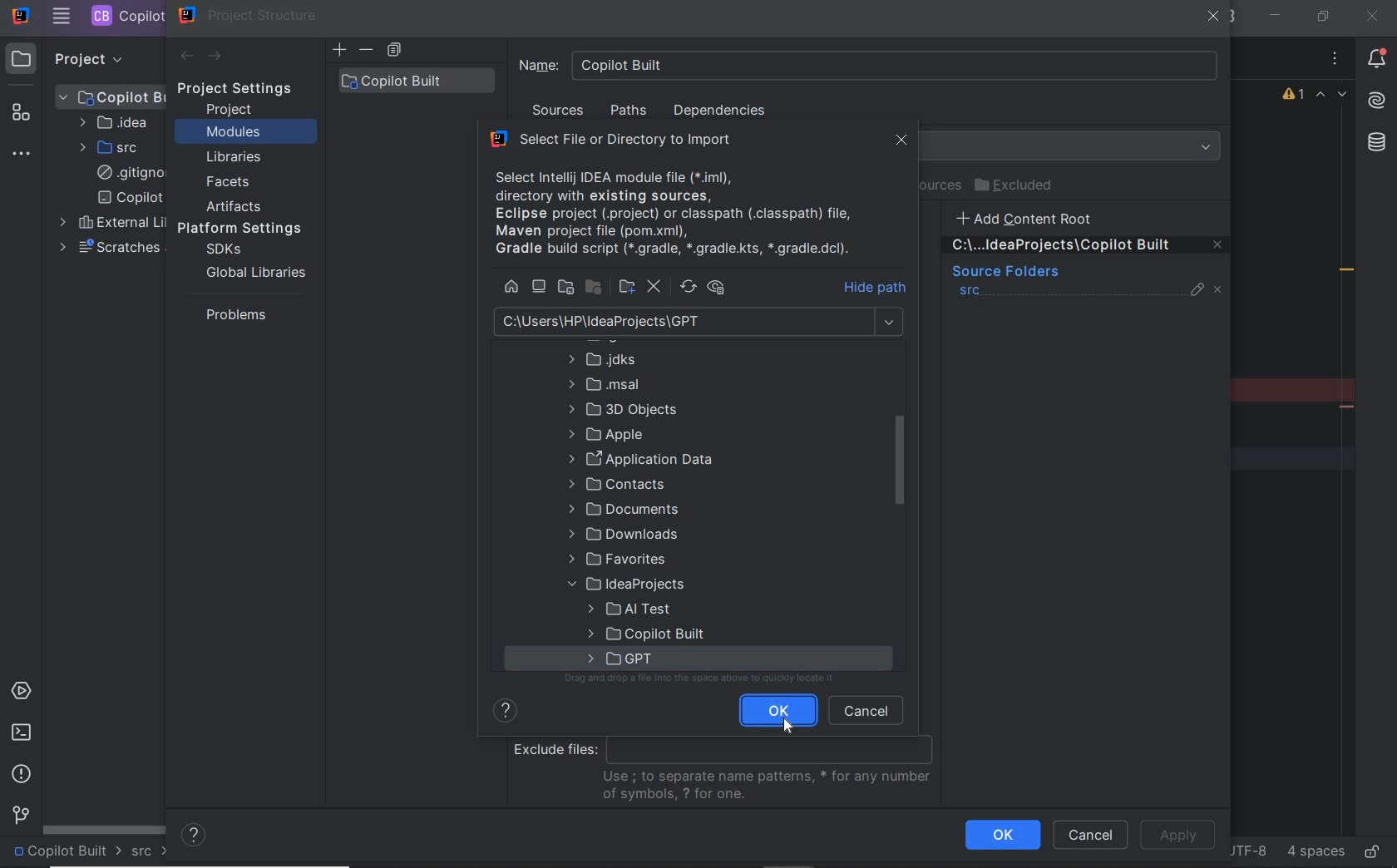 This screenshot has height=868, width=1397. I want to click on problems, so click(232, 314).